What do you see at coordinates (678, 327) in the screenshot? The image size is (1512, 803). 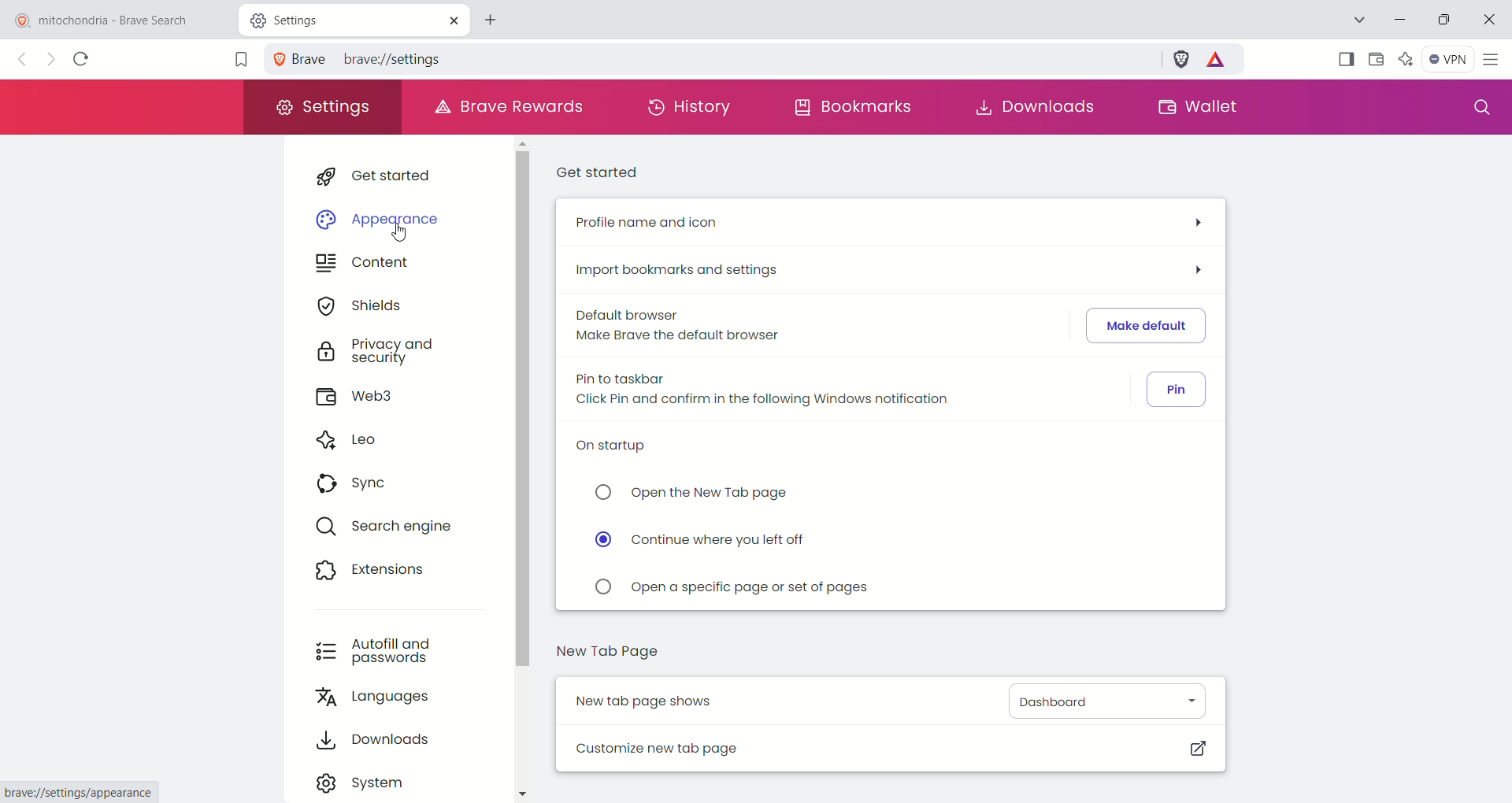 I see `default browser make brave the default browser` at bounding box center [678, 327].